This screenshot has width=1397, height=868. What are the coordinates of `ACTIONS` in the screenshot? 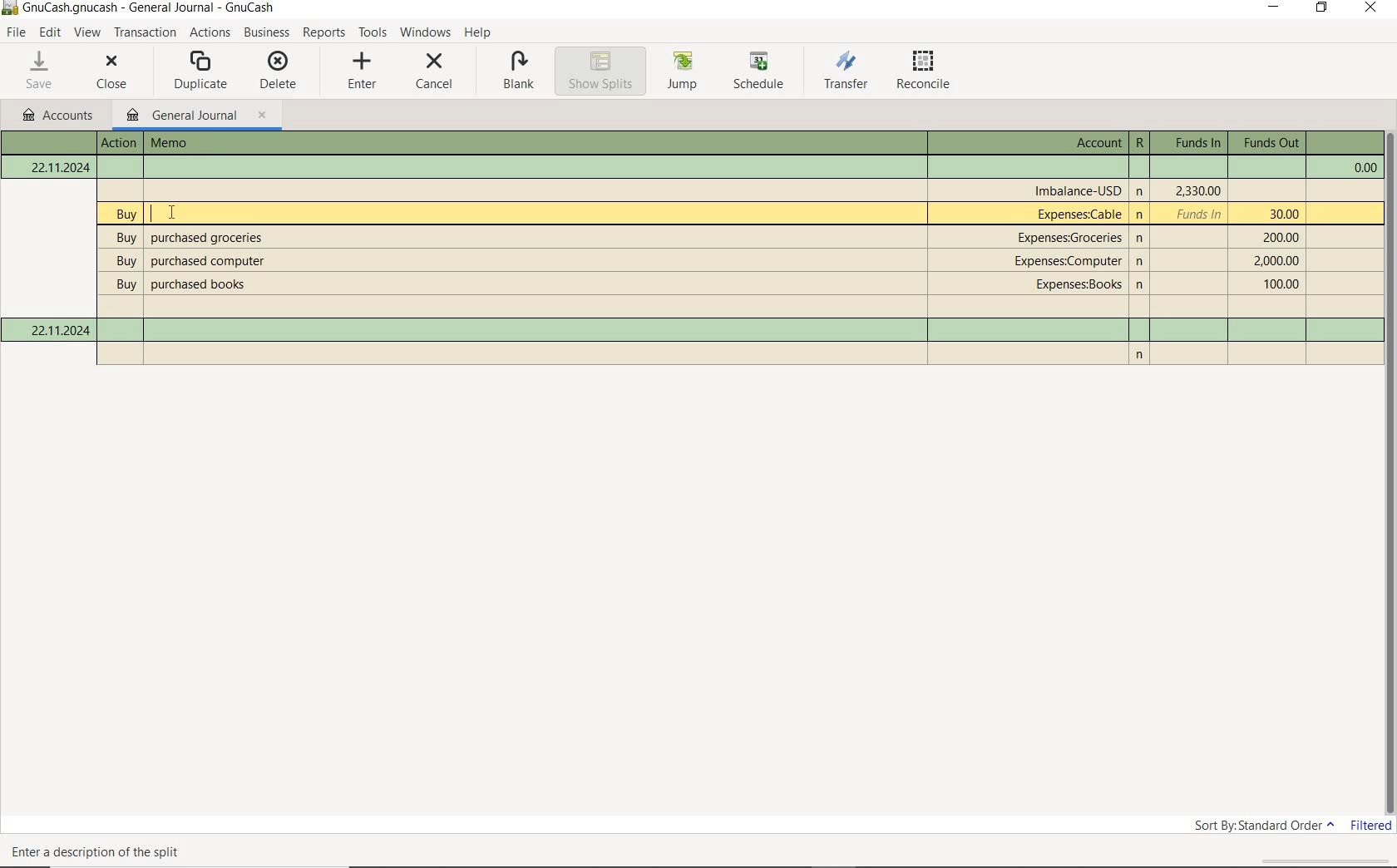 It's located at (210, 32).